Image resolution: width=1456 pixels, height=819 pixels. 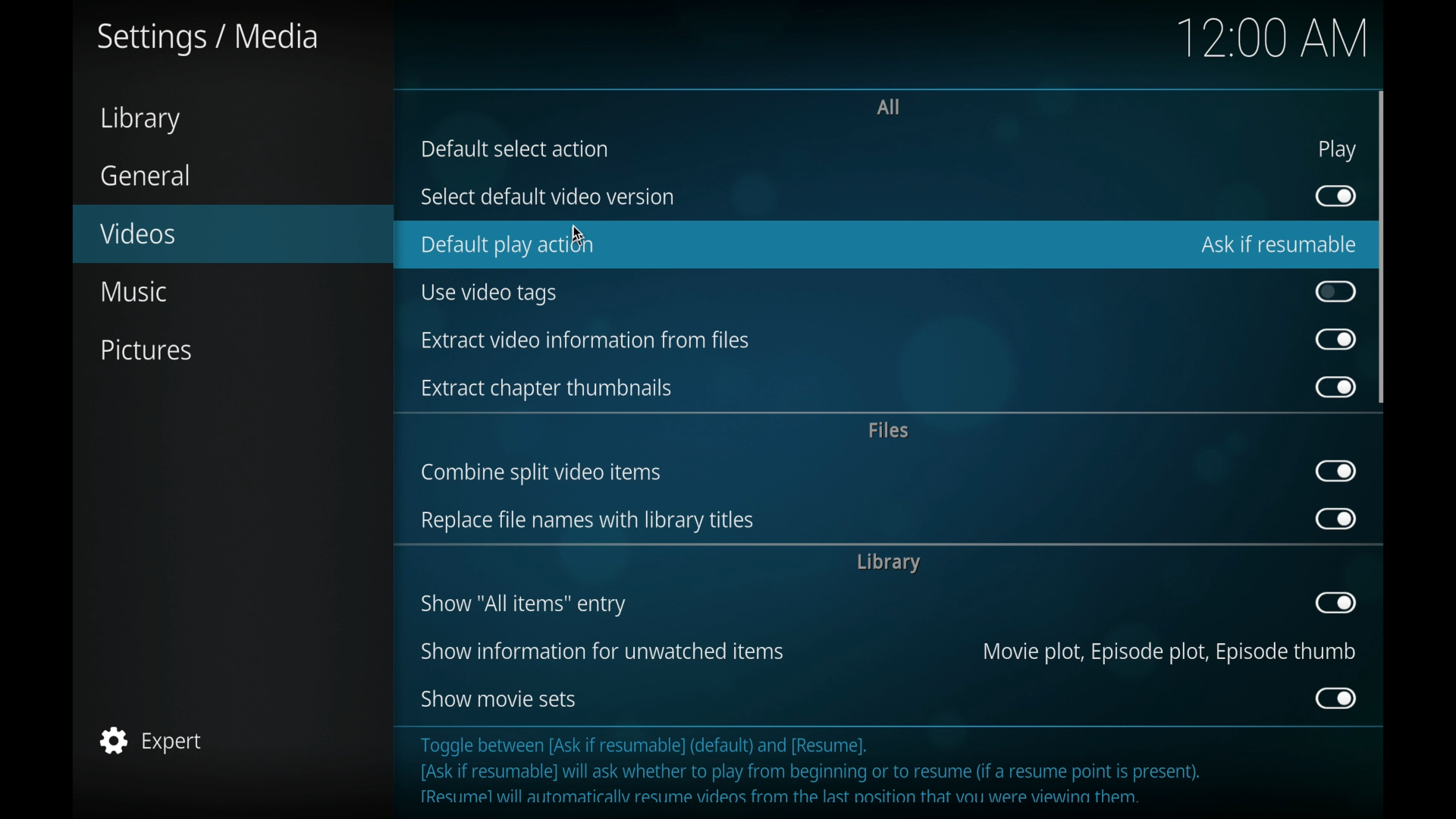 What do you see at coordinates (1336, 518) in the screenshot?
I see `toggle button` at bounding box center [1336, 518].